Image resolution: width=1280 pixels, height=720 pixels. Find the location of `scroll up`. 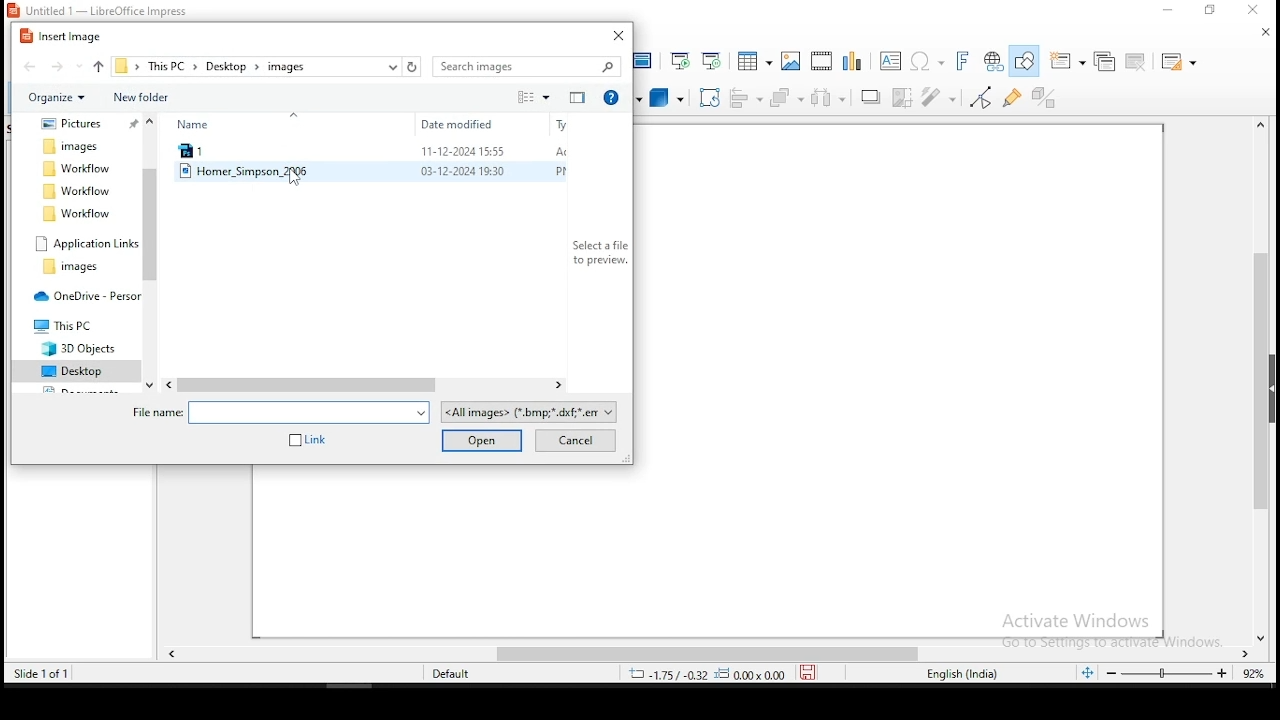

scroll up is located at coordinates (1264, 127).